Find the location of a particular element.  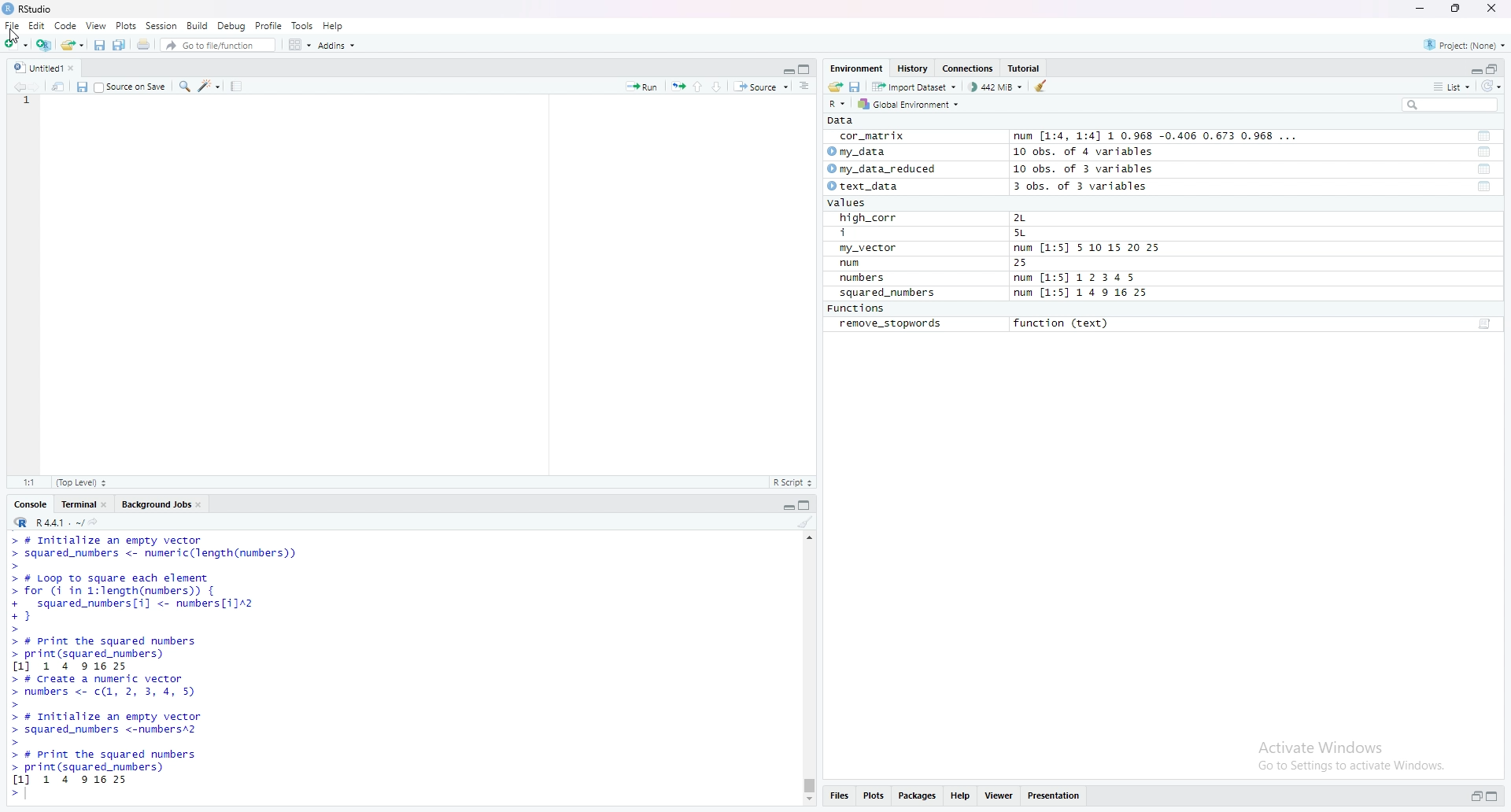

Project none is located at coordinates (1465, 43).